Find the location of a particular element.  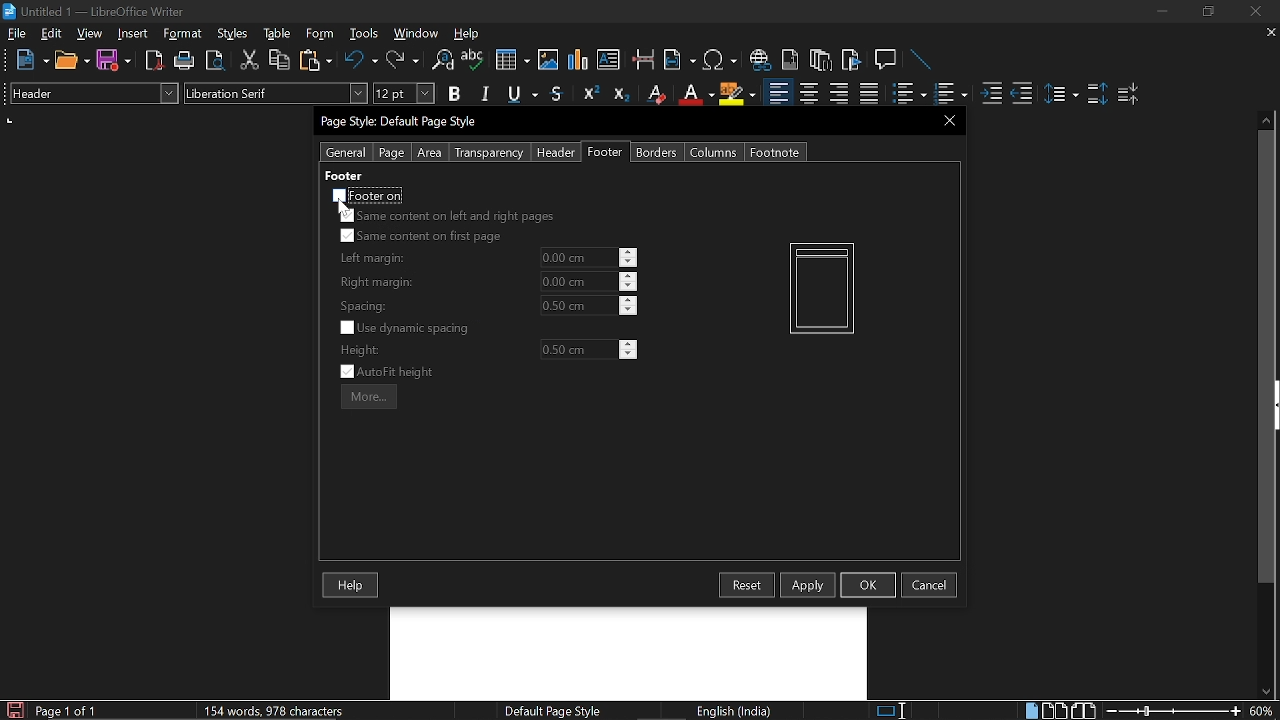

Insert comment is located at coordinates (888, 60).